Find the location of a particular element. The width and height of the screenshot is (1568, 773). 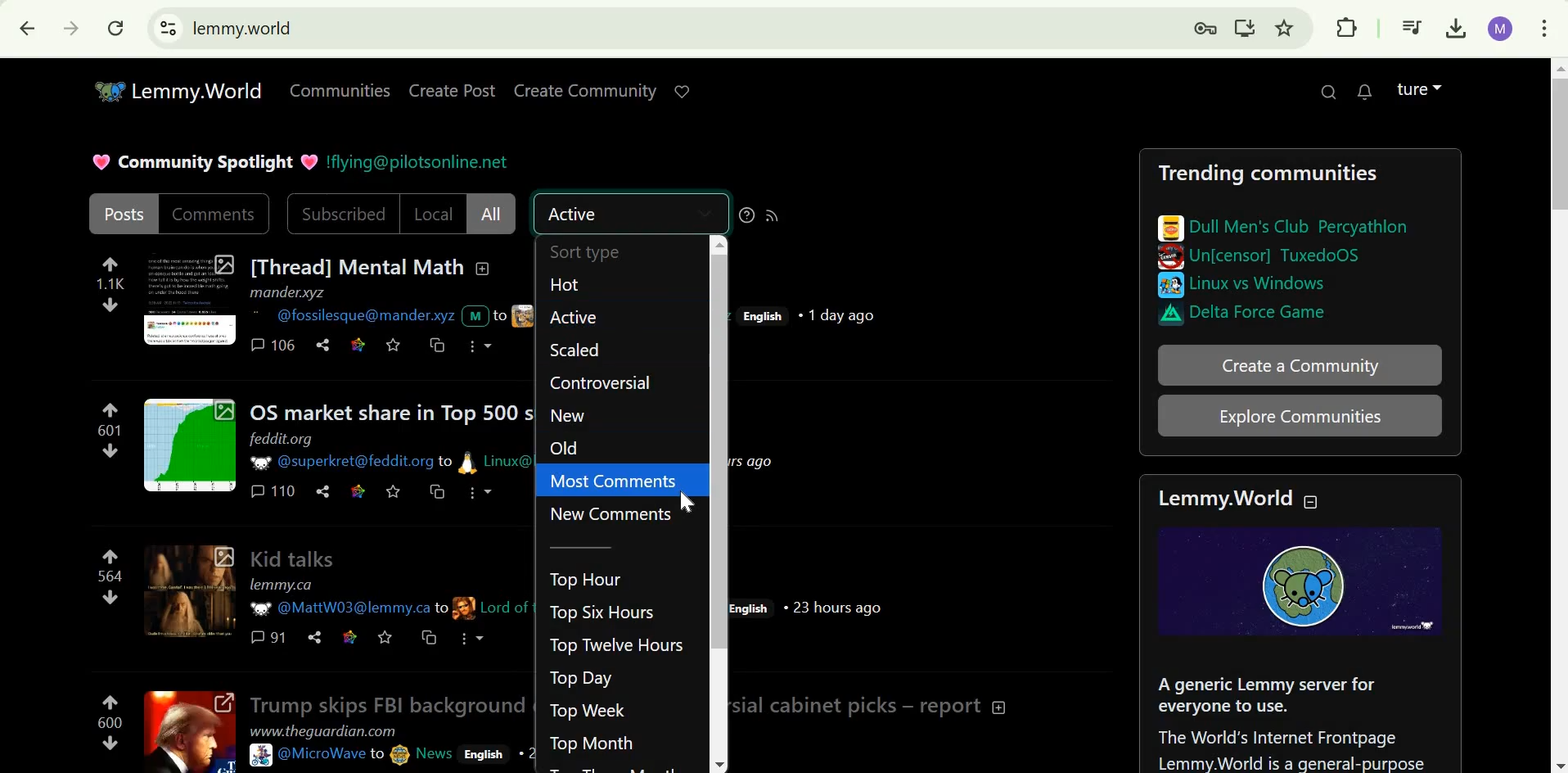

@fossilesque@mander.xyz is located at coordinates (363, 316).